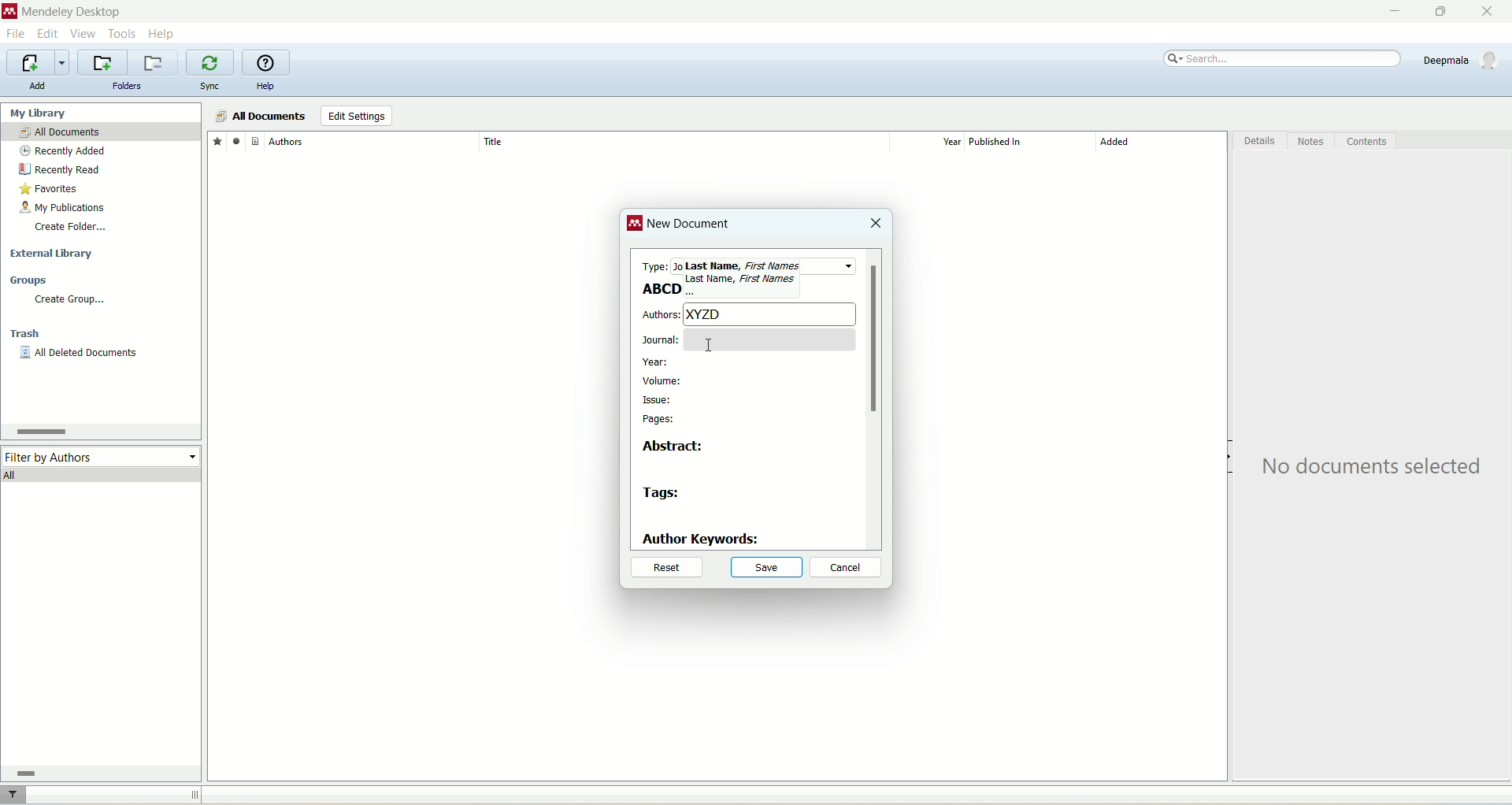 This screenshot has width=1512, height=805. I want to click on close, so click(1494, 12).